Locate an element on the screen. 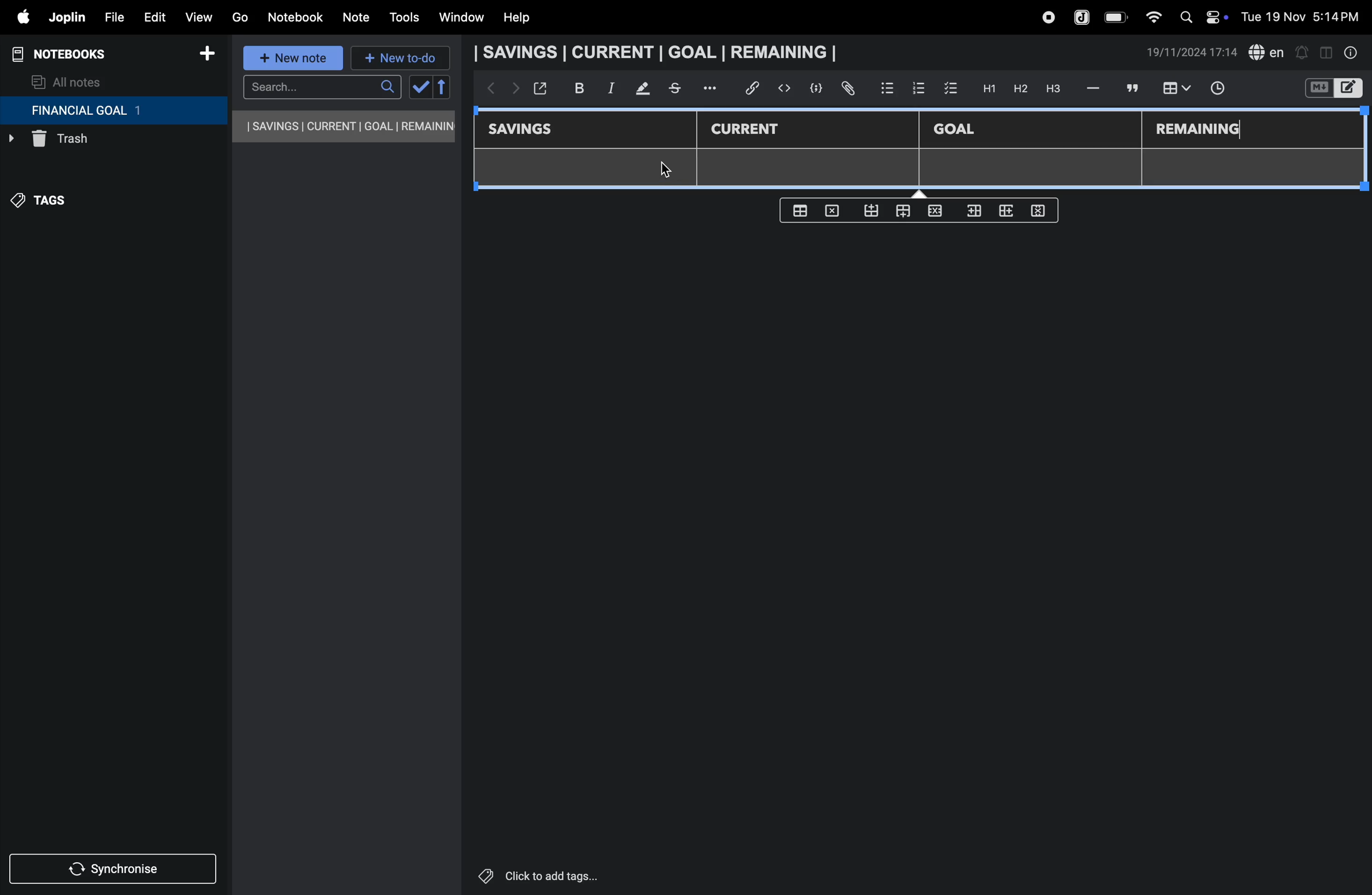 This screenshot has width=1372, height=895. comment is located at coordinates (1130, 88).